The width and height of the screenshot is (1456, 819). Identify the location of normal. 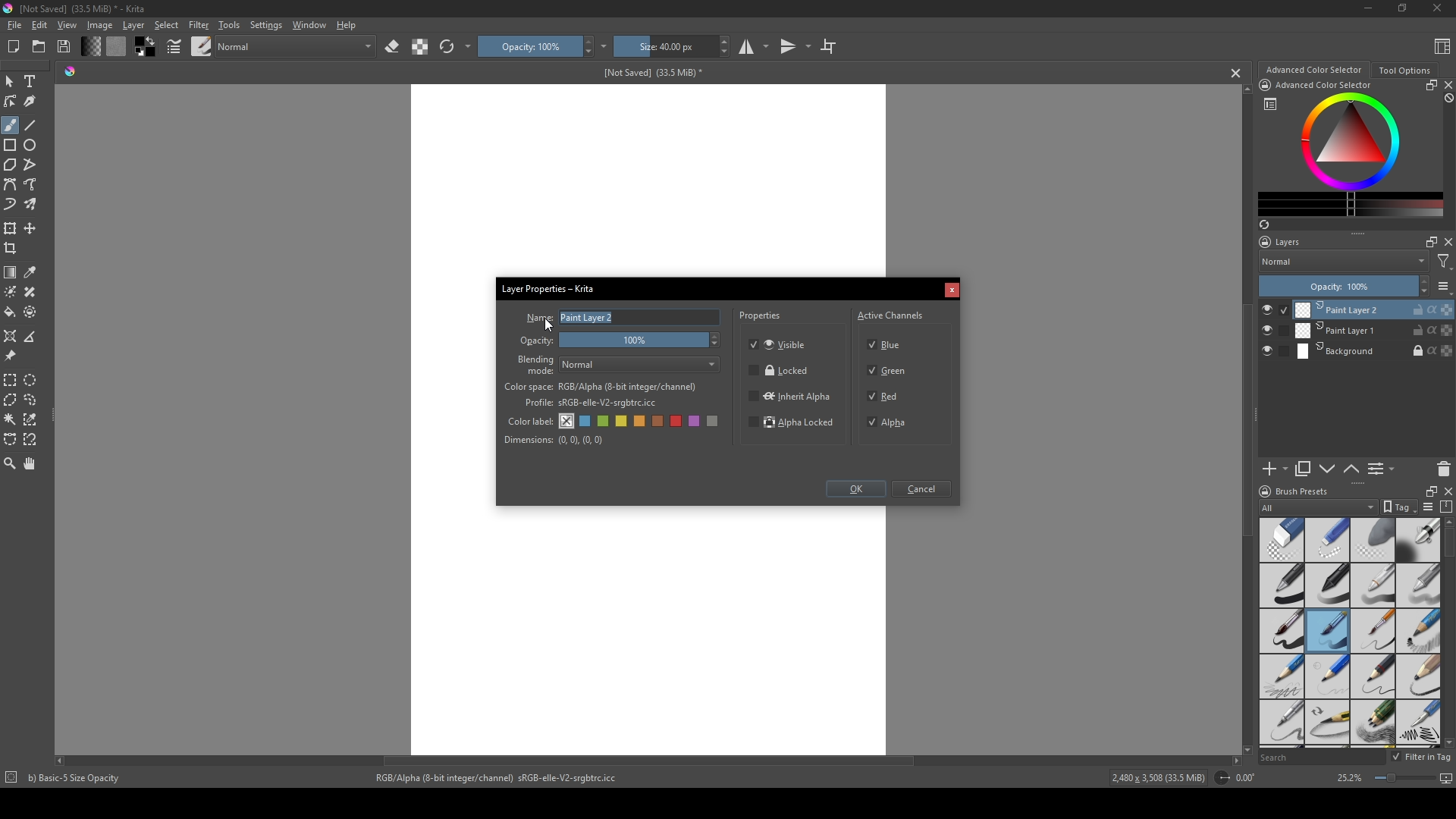
(295, 45).